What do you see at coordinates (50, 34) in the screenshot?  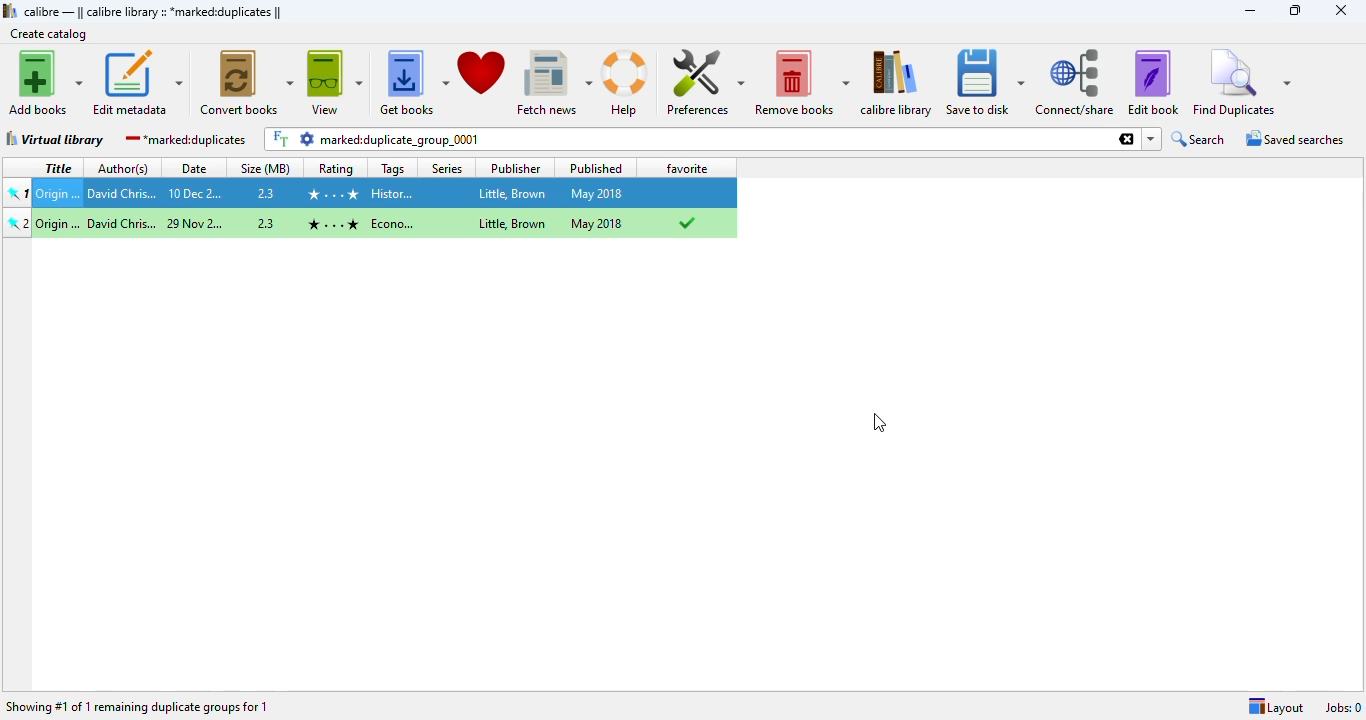 I see `create catalog` at bounding box center [50, 34].